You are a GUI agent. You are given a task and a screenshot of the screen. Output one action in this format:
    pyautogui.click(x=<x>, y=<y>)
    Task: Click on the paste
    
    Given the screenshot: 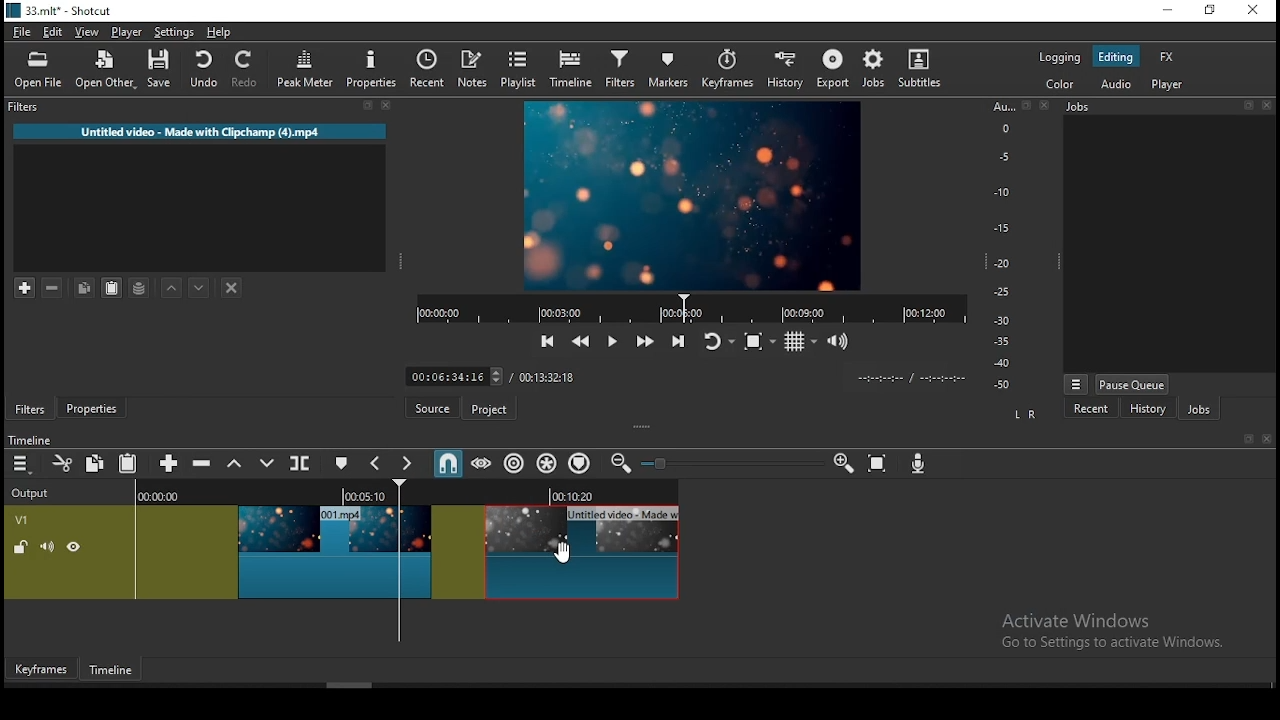 What is the action you would take?
    pyautogui.click(x=131, y=465)
    